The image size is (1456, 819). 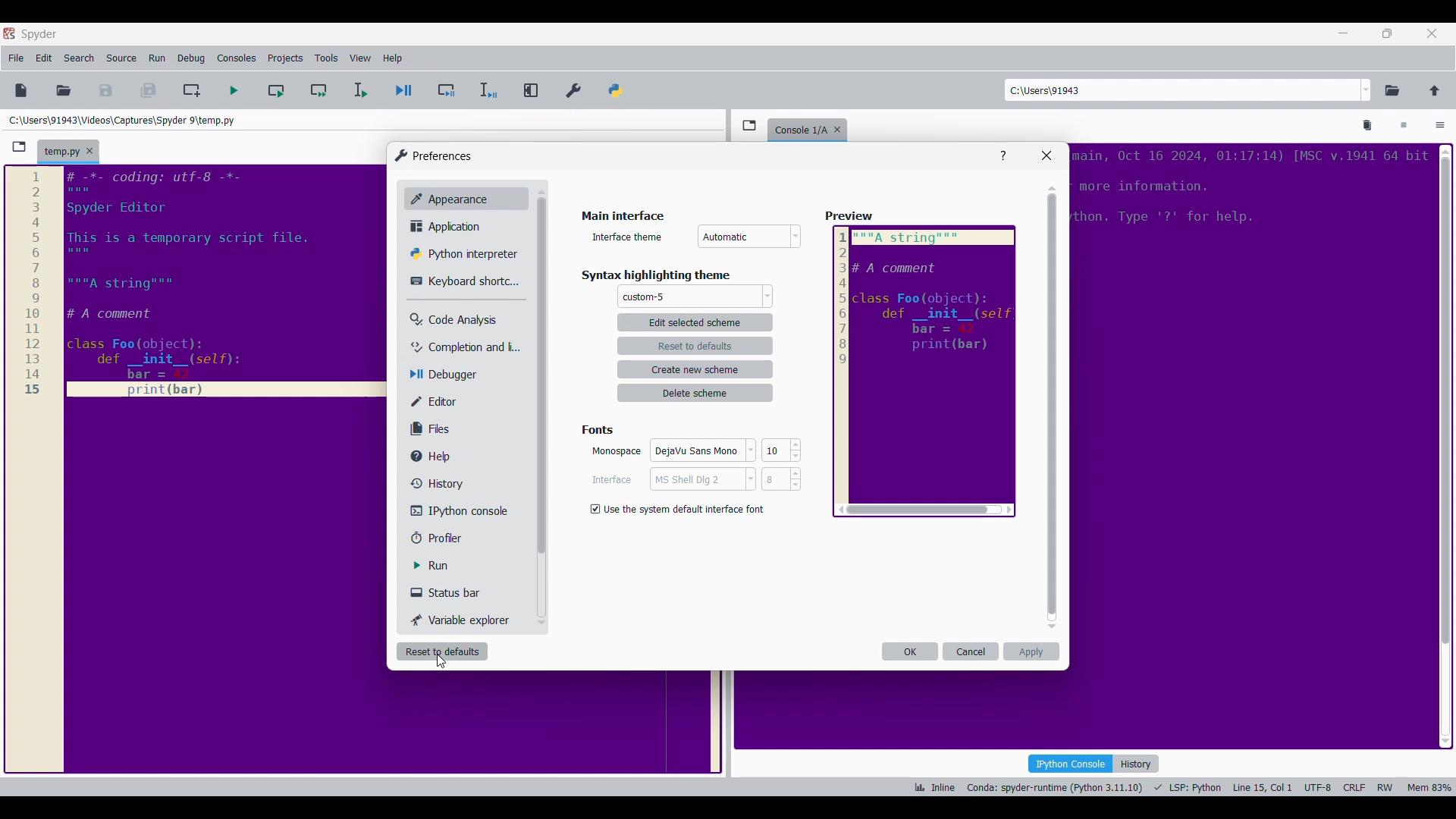 I want to click on Change to parent directory, so click(x=1435, y=91).